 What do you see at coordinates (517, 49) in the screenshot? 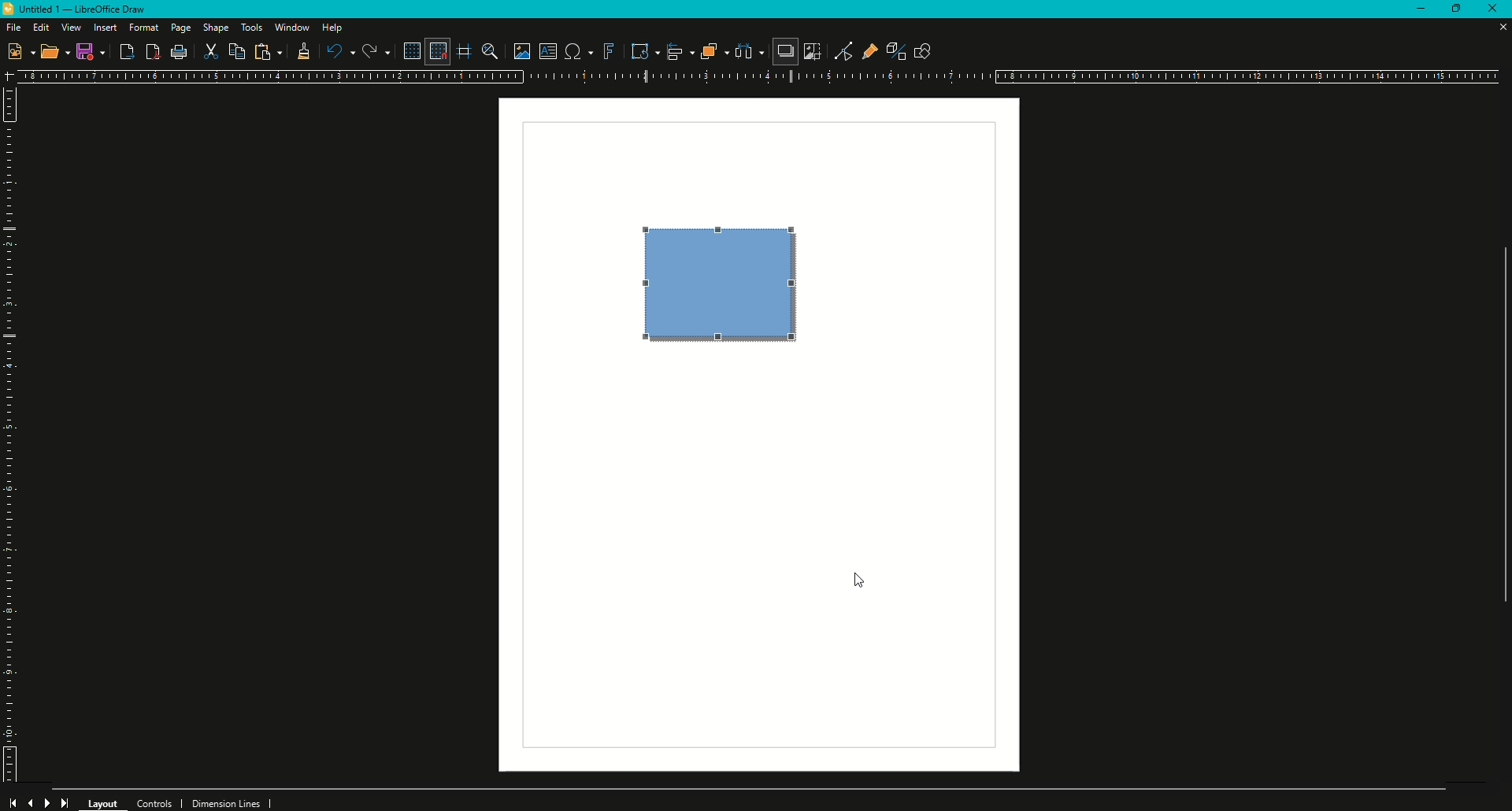
I see `Insert Image` at bounding box center [517, 49].